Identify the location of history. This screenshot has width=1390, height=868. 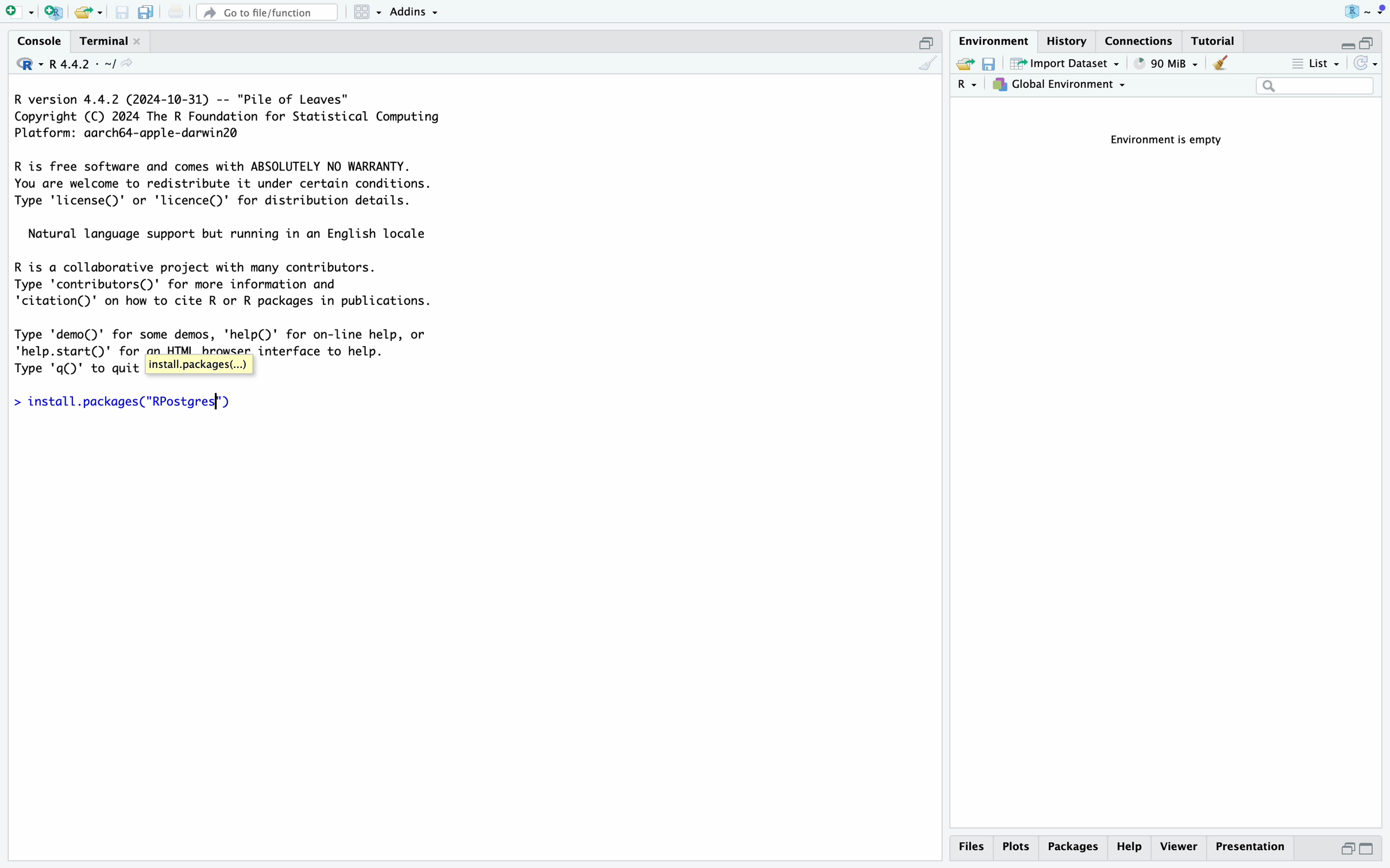
(1071, 40).